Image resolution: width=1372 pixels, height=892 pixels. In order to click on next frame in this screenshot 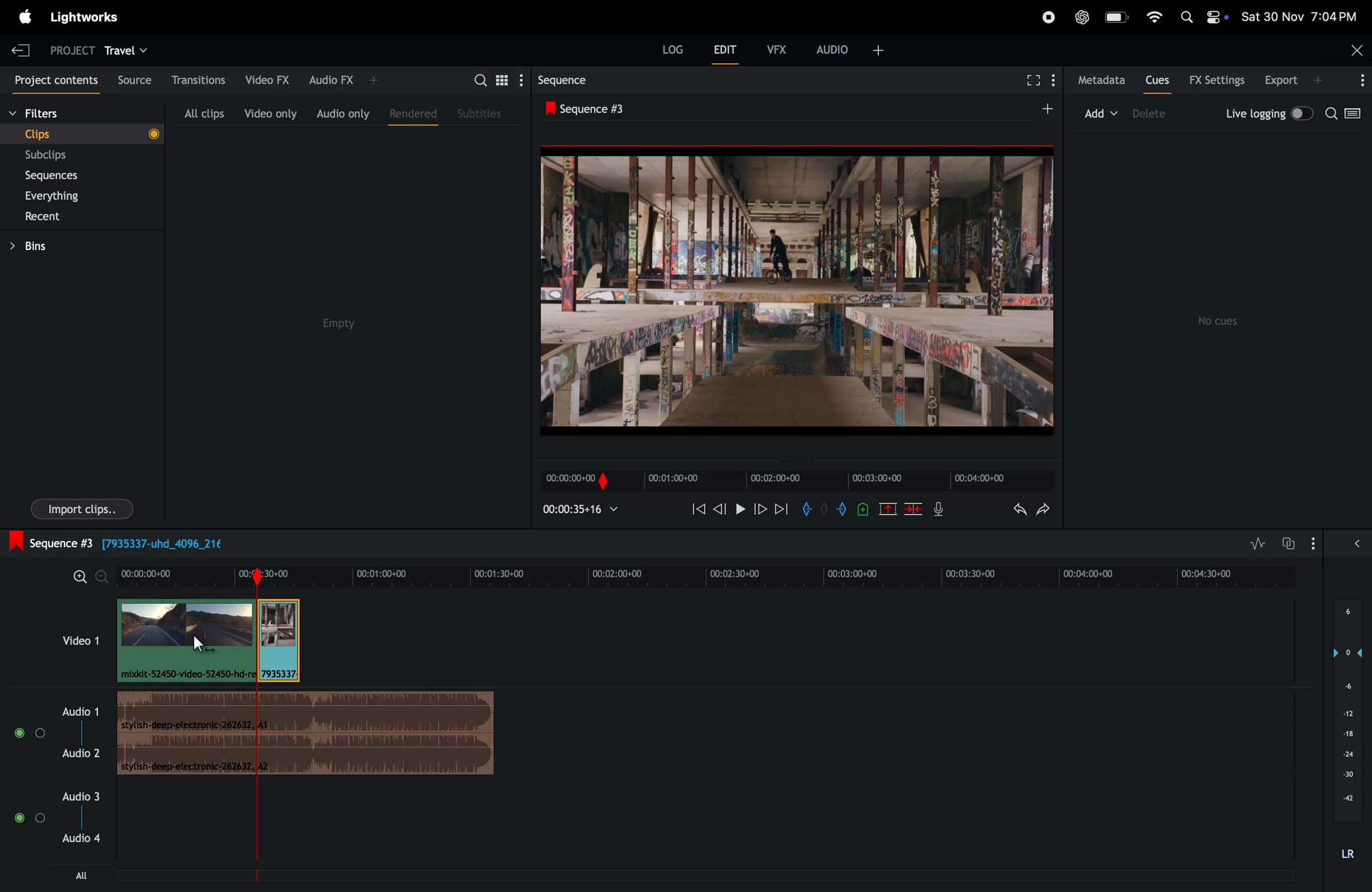, I will do `click(782, 509)`.